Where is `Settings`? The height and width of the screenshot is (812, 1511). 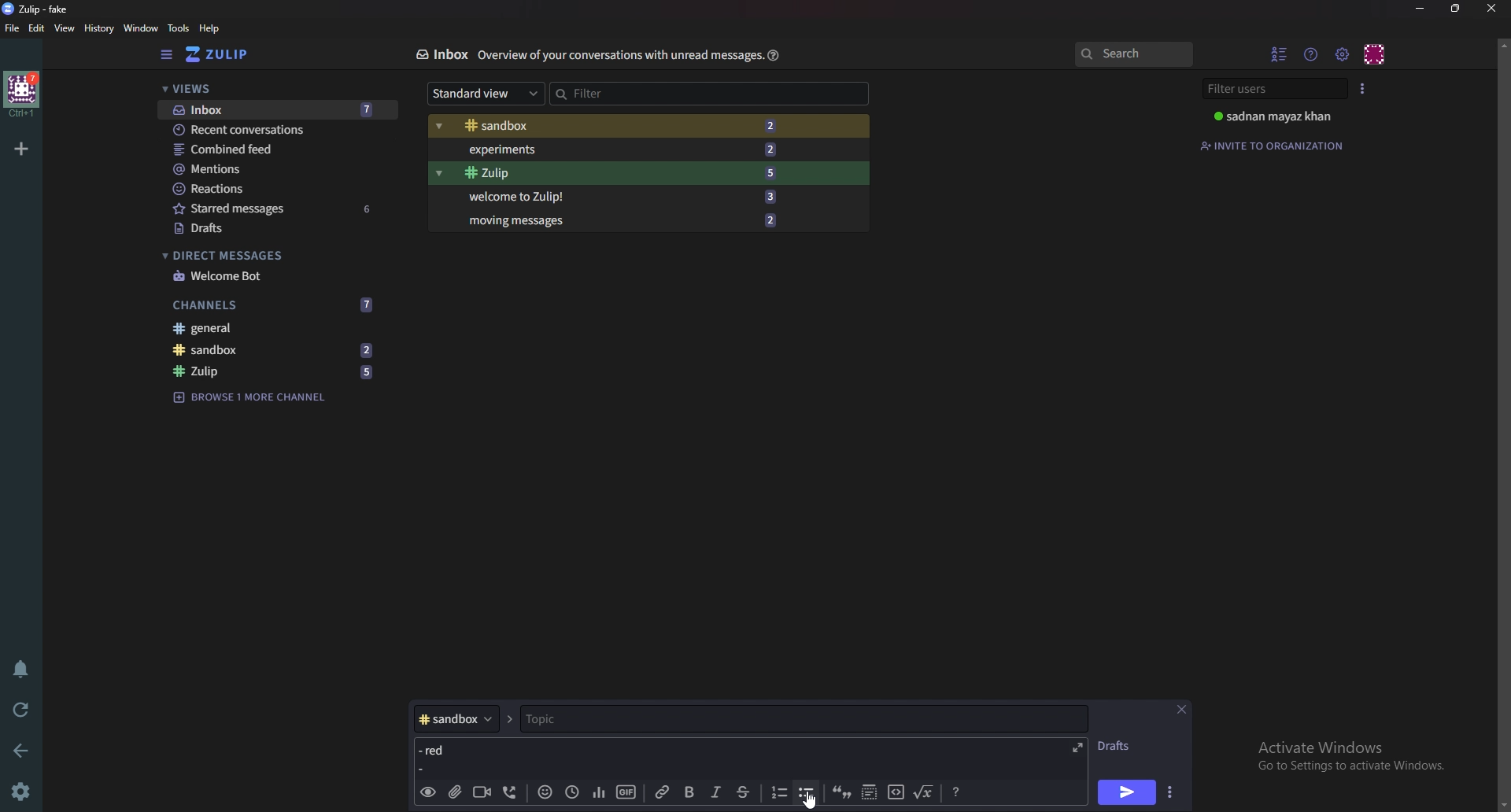
Settings is located at coordinates (20, 793).